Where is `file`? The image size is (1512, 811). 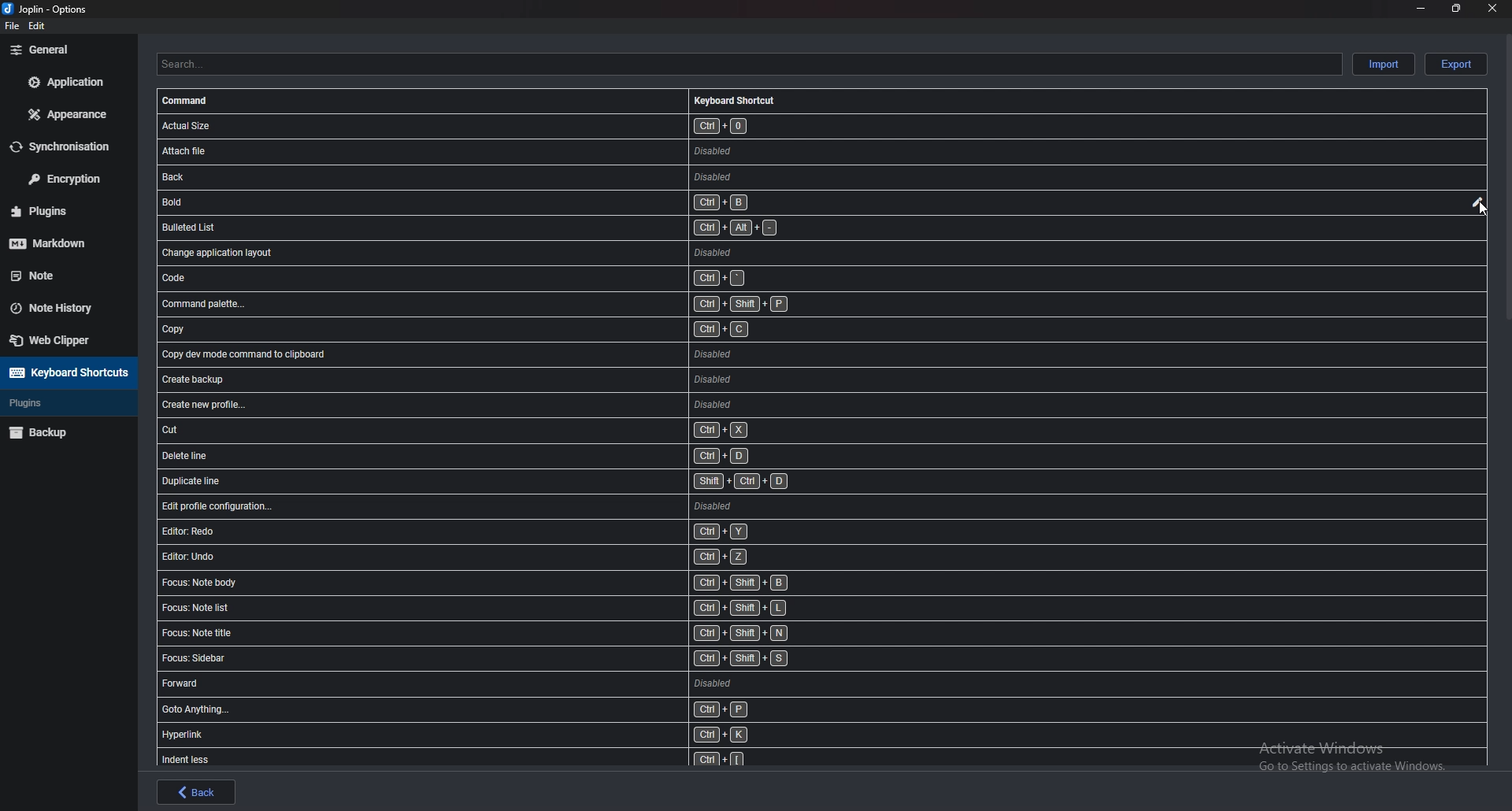
file is located at coordinates (12, 28).